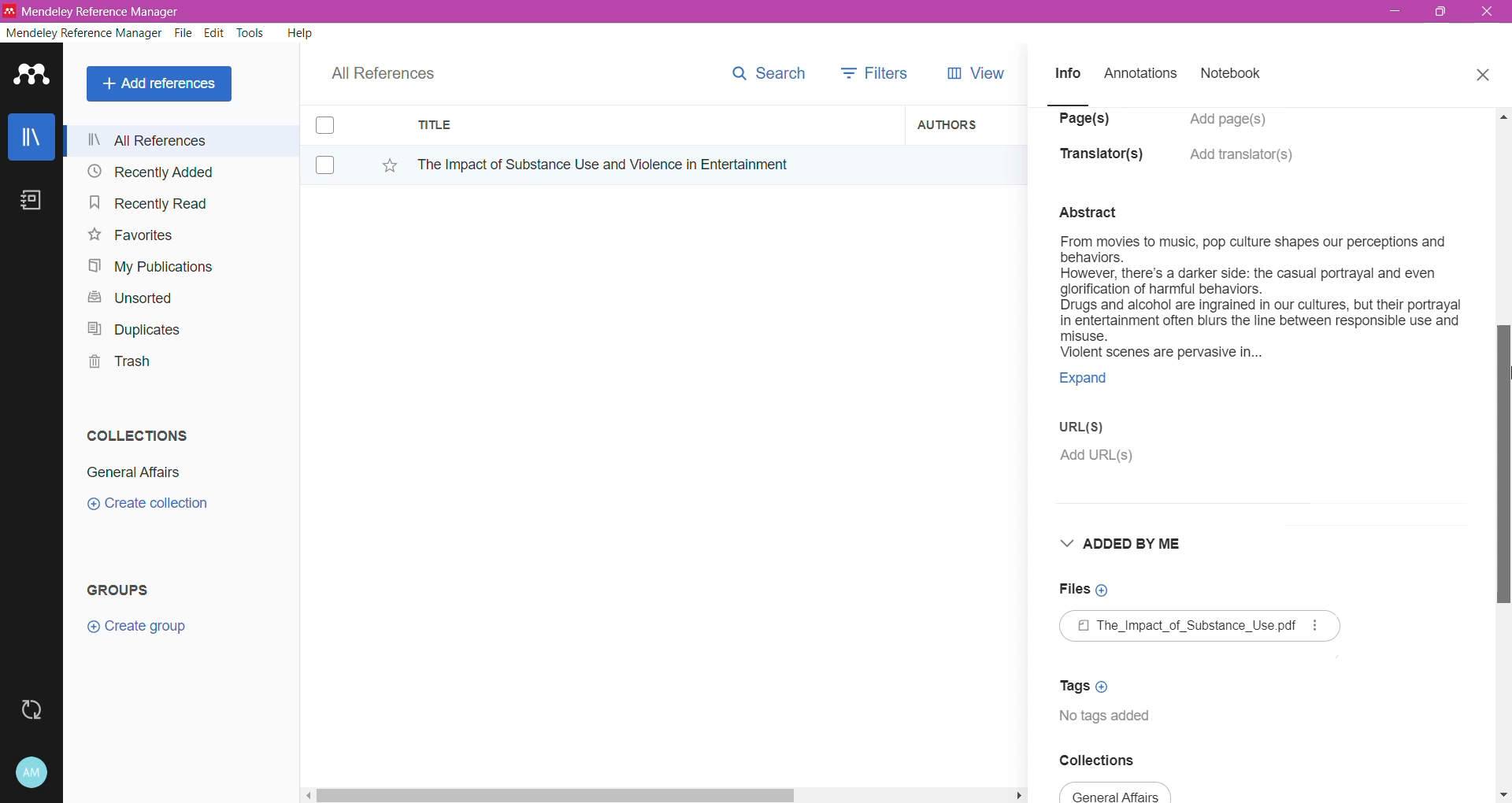  What do you see at coordinates (768, 70) in the screenshot?
I see `Search` at bounding box center [768, 70].